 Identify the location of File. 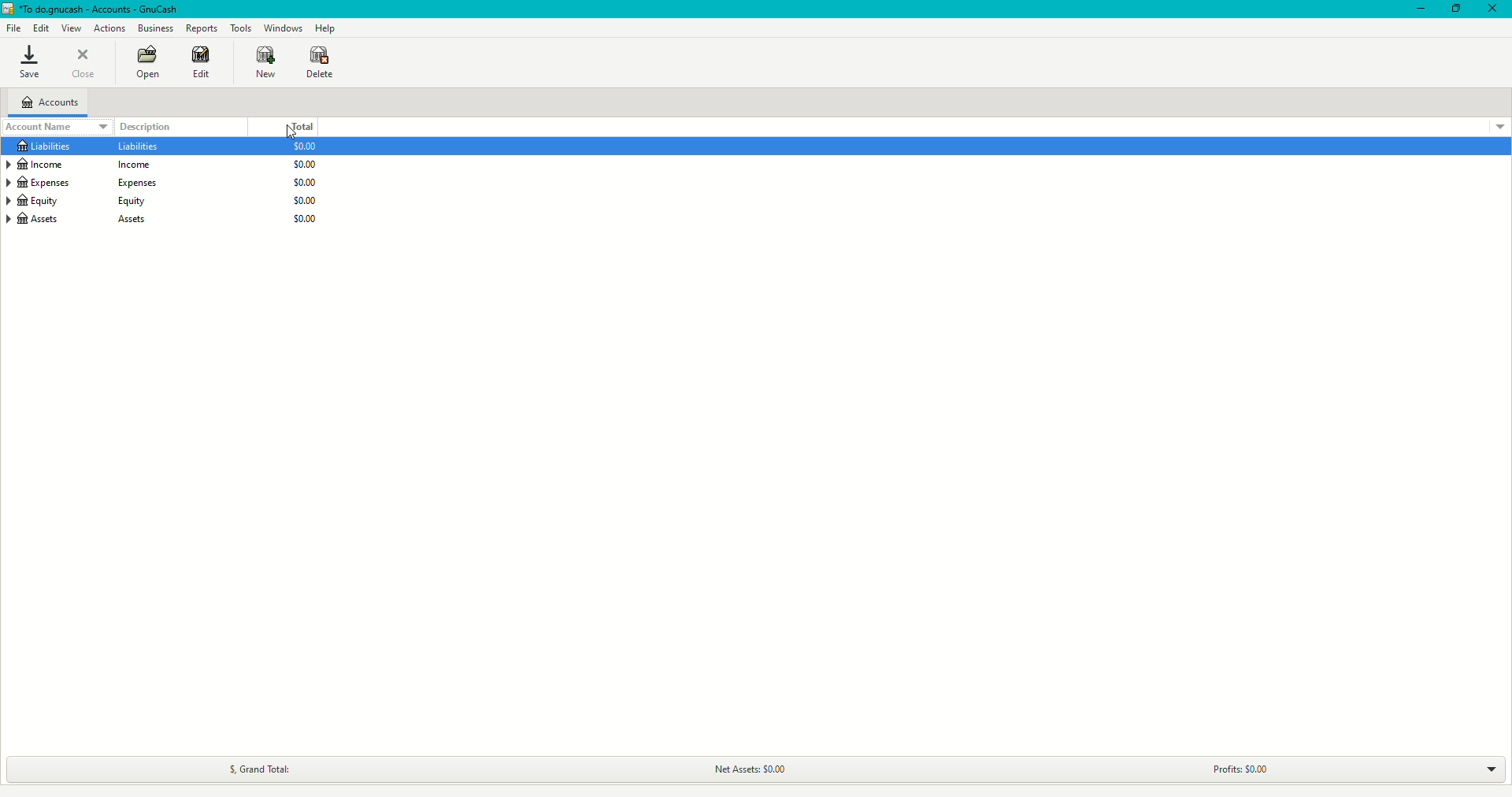
(11, 26).